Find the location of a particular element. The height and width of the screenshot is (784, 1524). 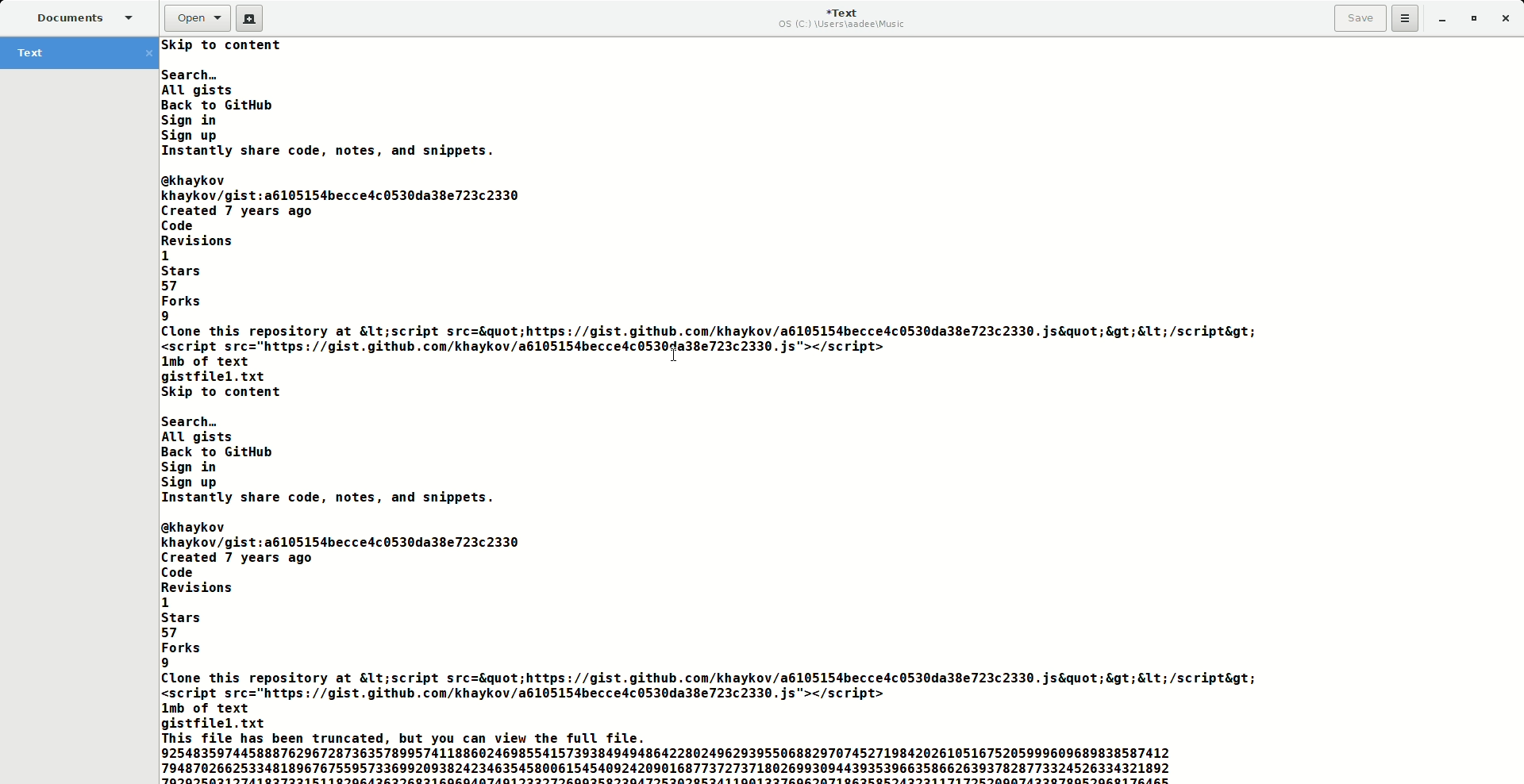

Save is located at coordinates (1360, 19).